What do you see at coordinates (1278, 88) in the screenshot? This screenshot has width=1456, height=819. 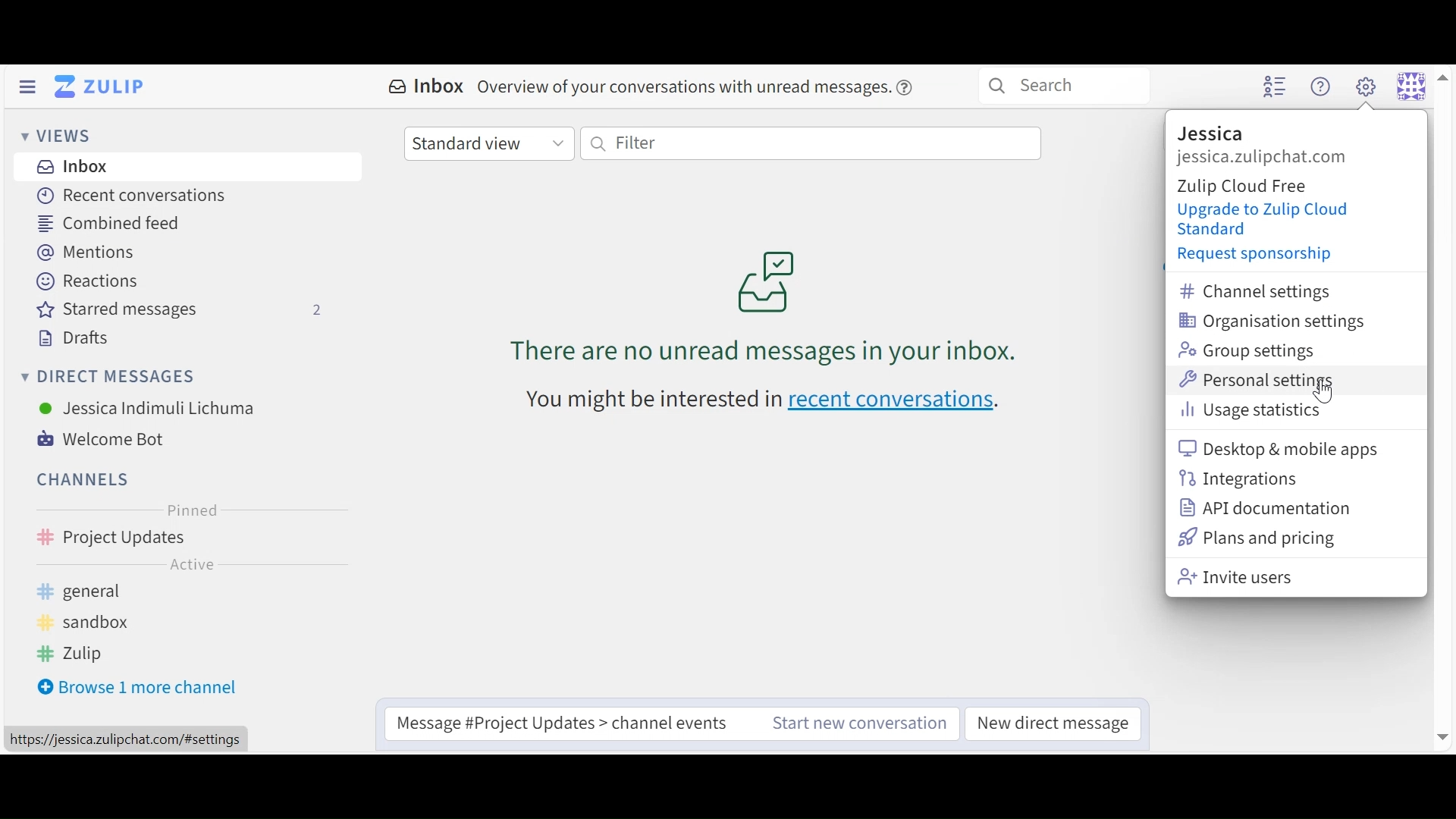 I see `Hide User list` at bounding box center [1278, 88].